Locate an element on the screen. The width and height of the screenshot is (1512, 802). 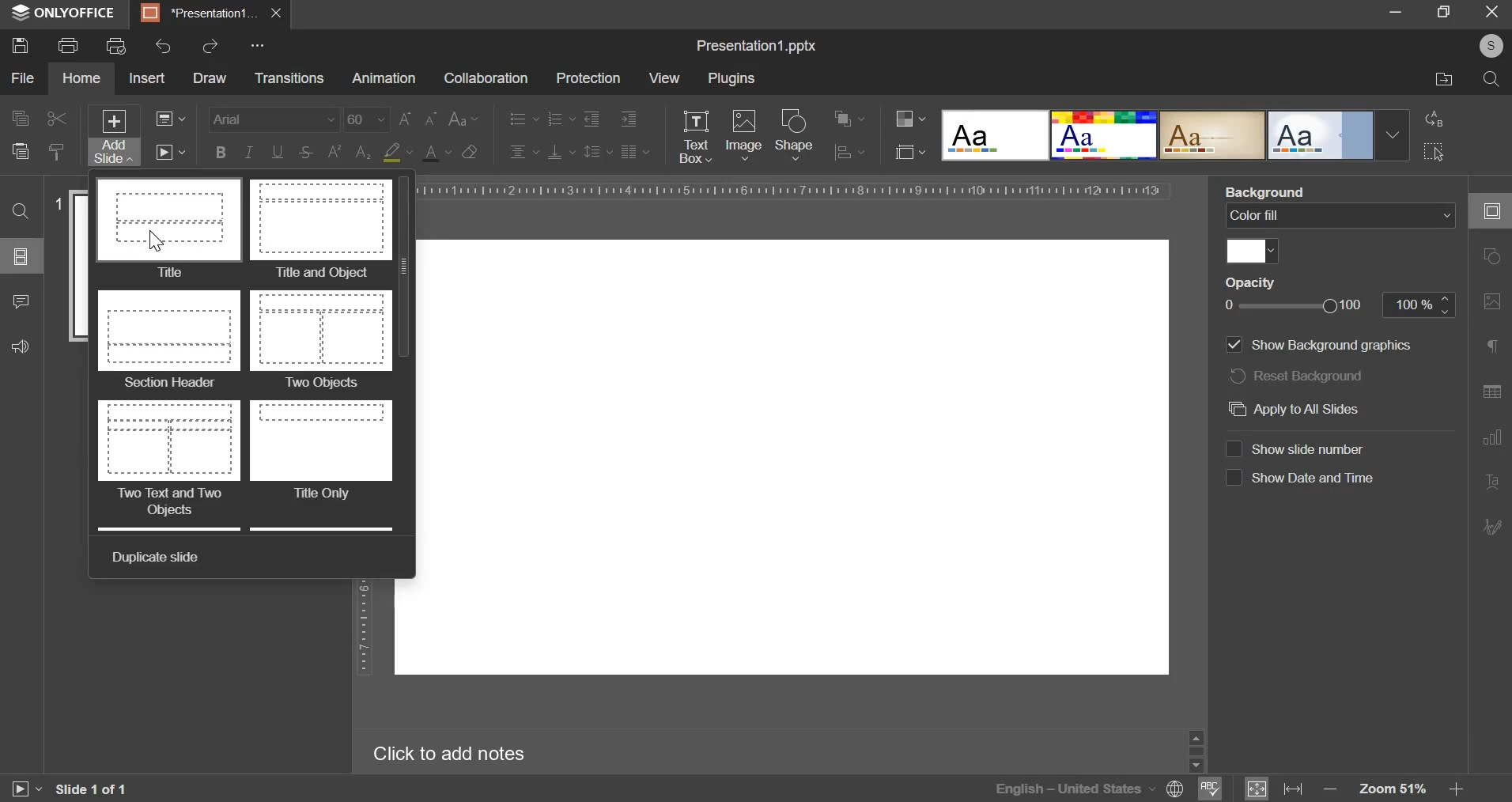
opacity is located at coordinates (1258, 283).